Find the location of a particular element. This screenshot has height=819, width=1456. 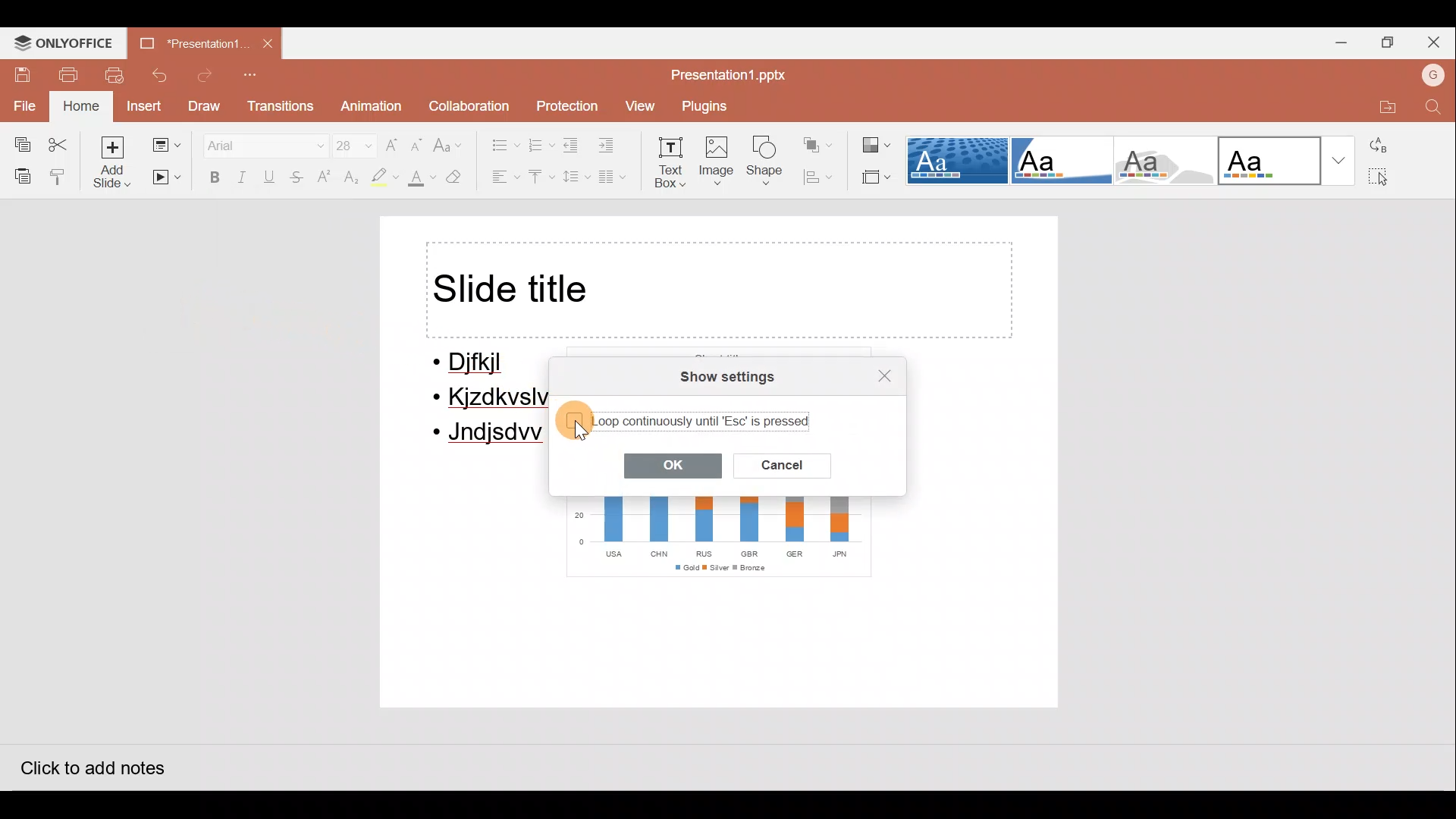

Underline is located at coordinates (265, 176).